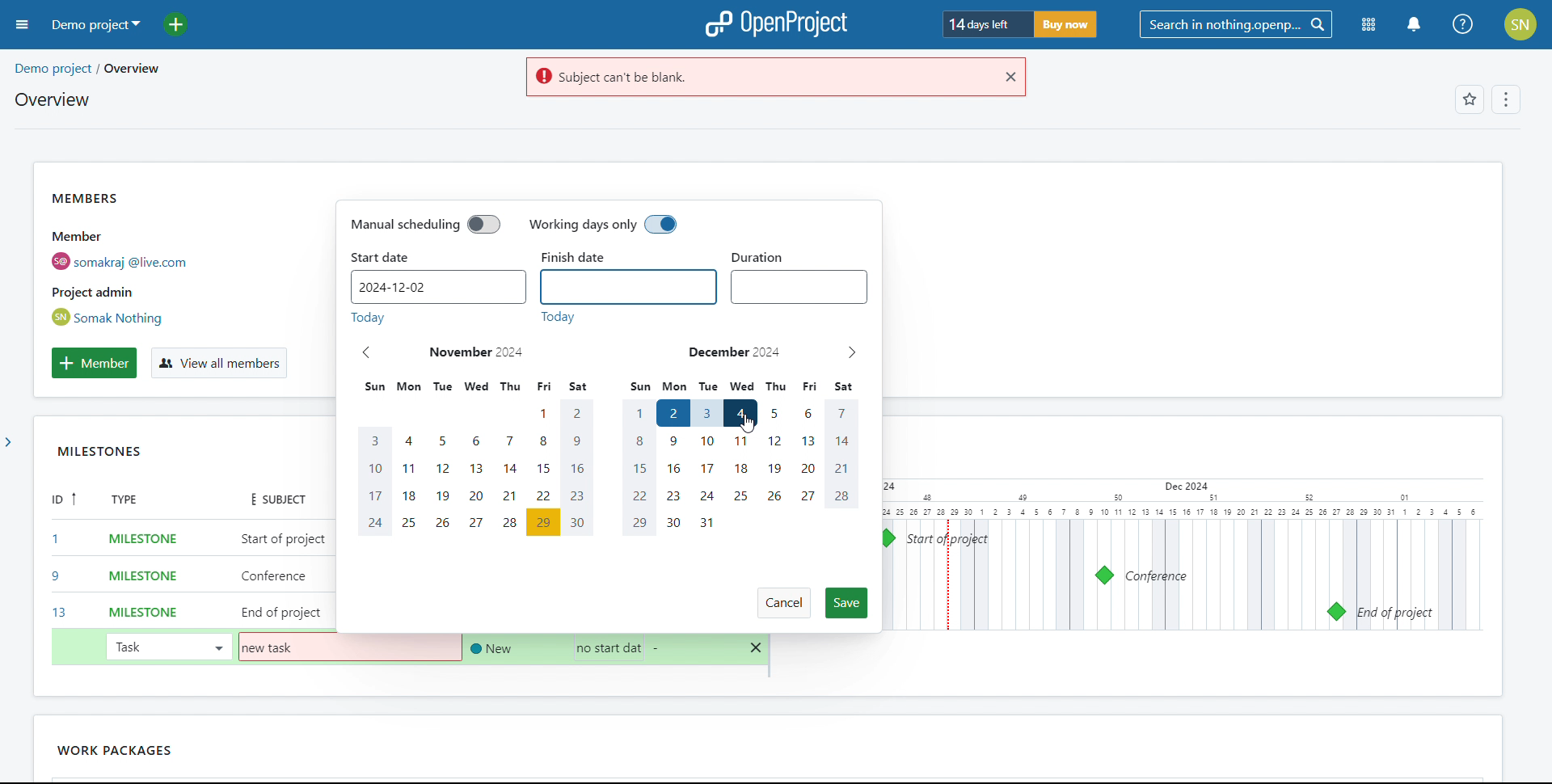 The height and width of the screenshot is (784, 1552). I want to click on set status, so click(488, 648).